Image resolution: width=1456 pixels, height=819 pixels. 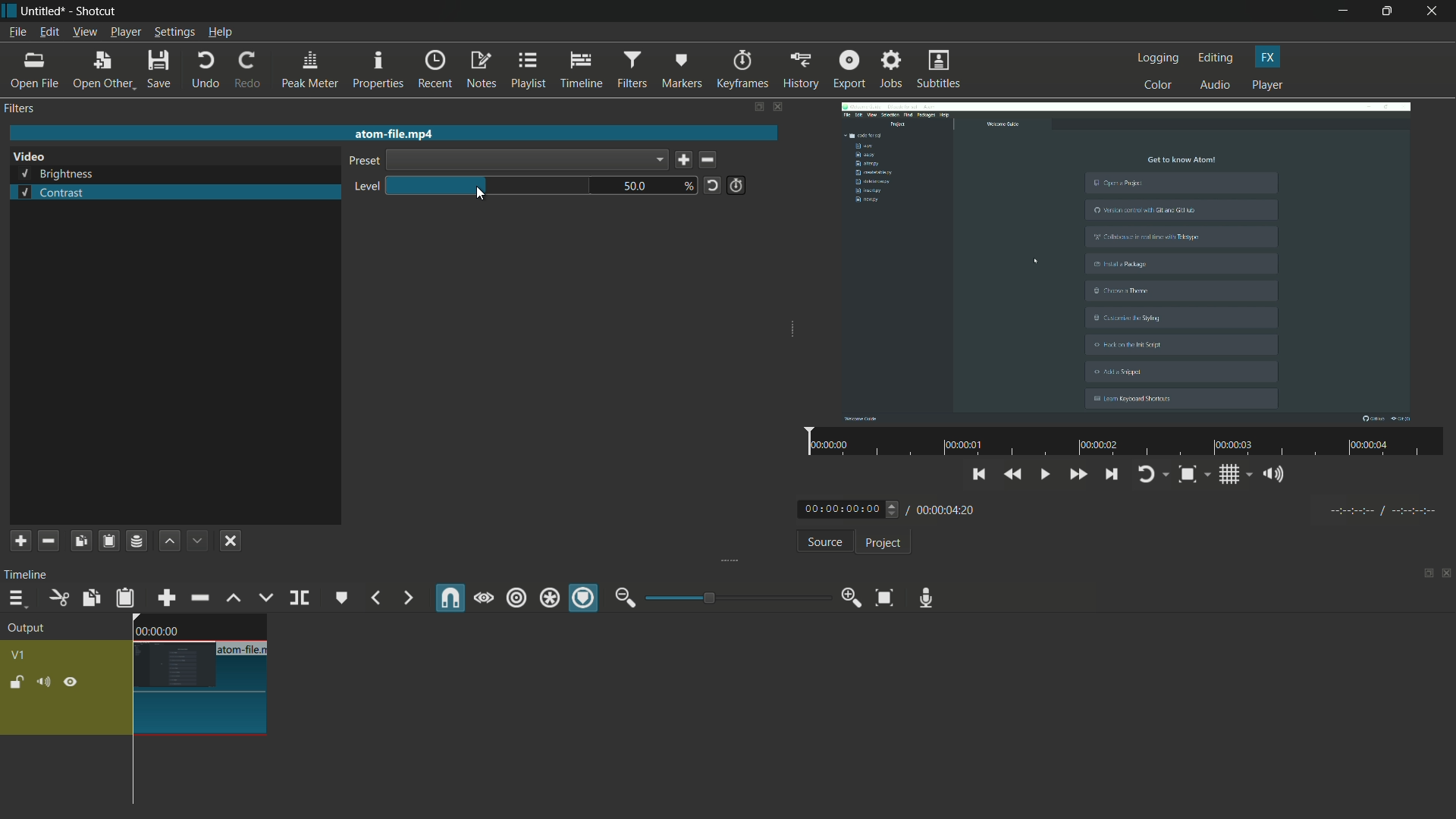 What do you see at coordinates (922, 598) in the screenshot?
I see `record audio` at bounding box center [922, 598].